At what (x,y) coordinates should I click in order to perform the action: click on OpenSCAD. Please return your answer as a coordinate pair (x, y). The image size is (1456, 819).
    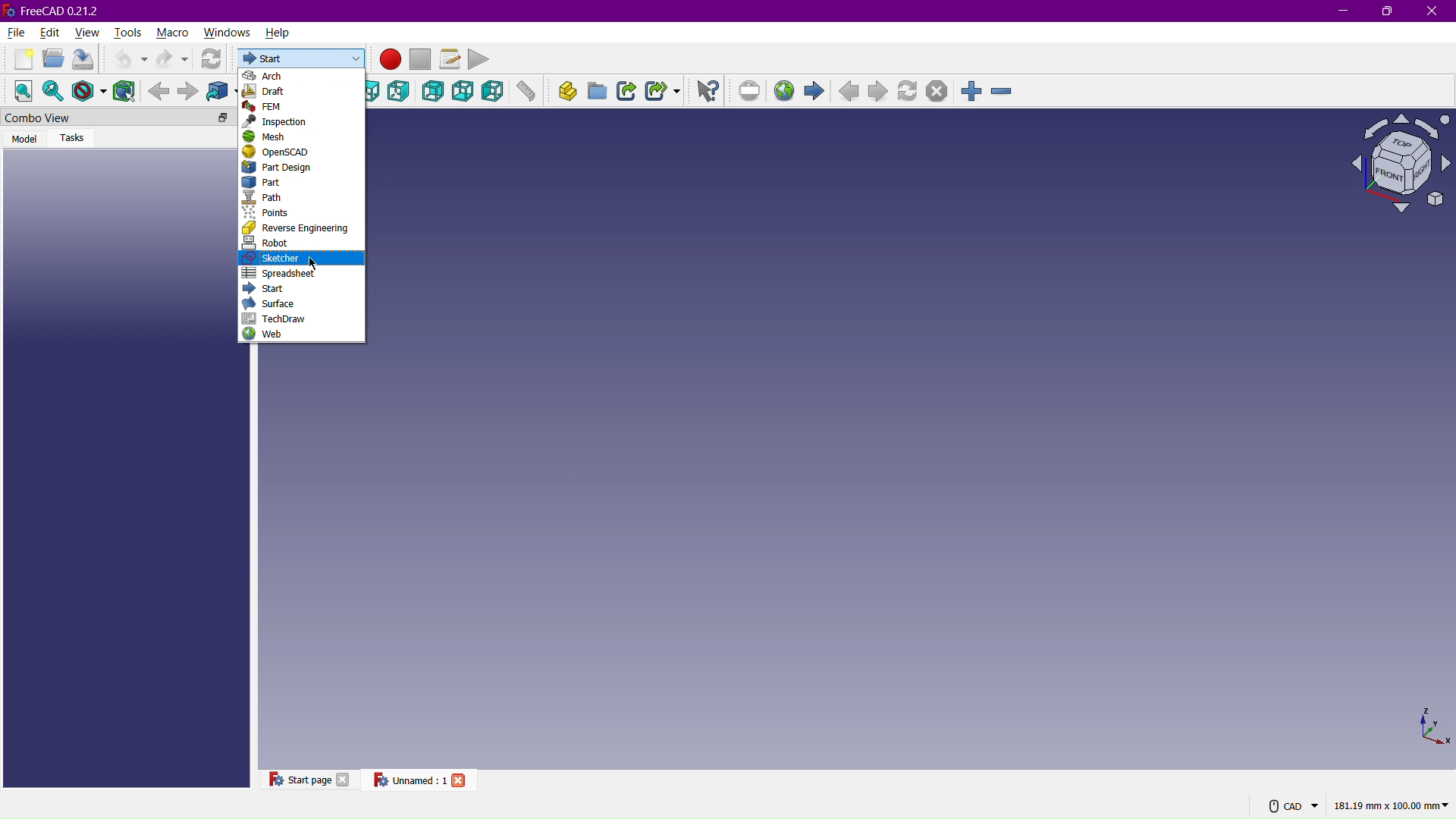
    Looking at the image, I should click on (280, 151).